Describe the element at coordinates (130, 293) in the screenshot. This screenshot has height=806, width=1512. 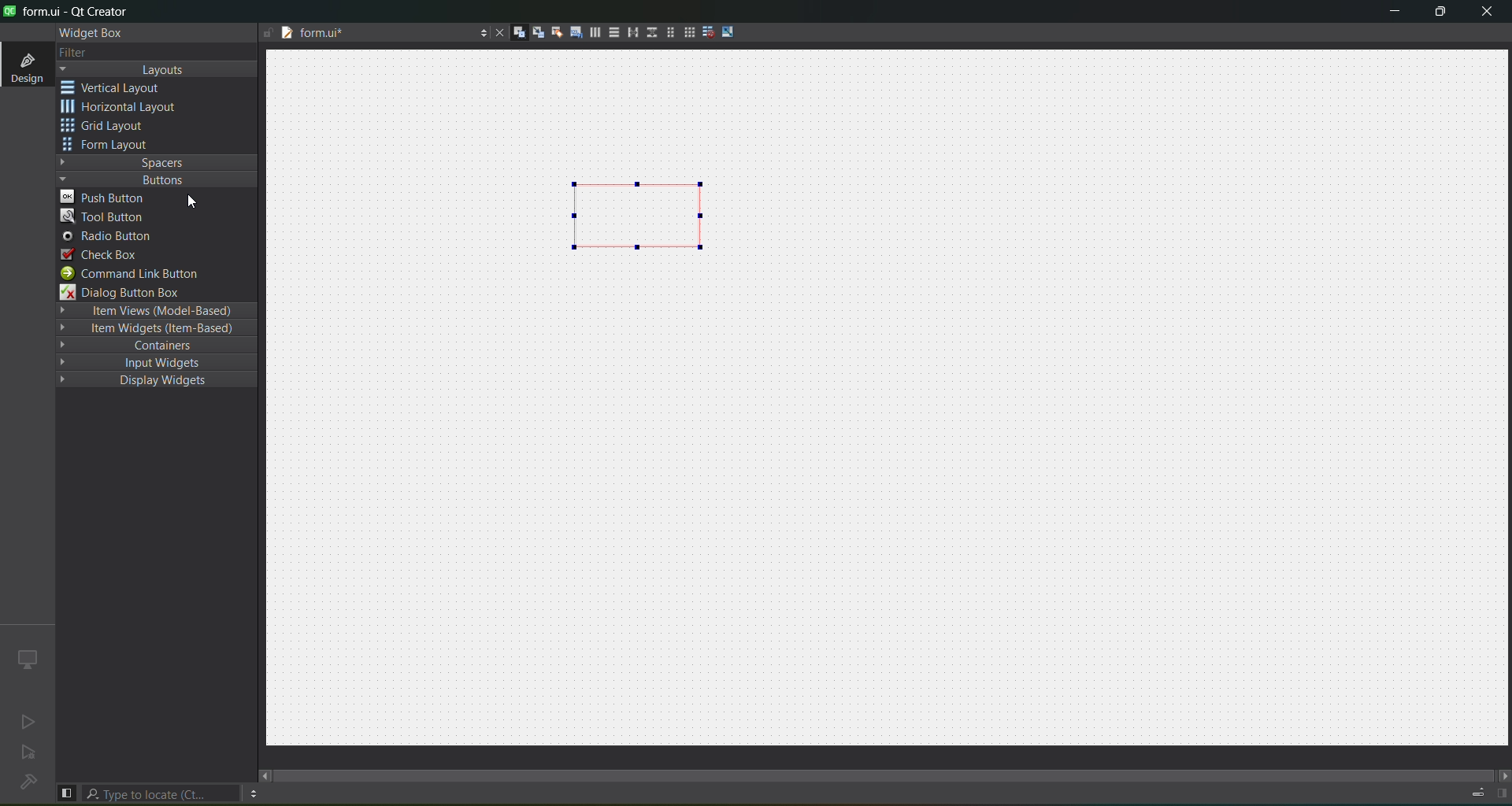
I see `dialog button box` at that location.